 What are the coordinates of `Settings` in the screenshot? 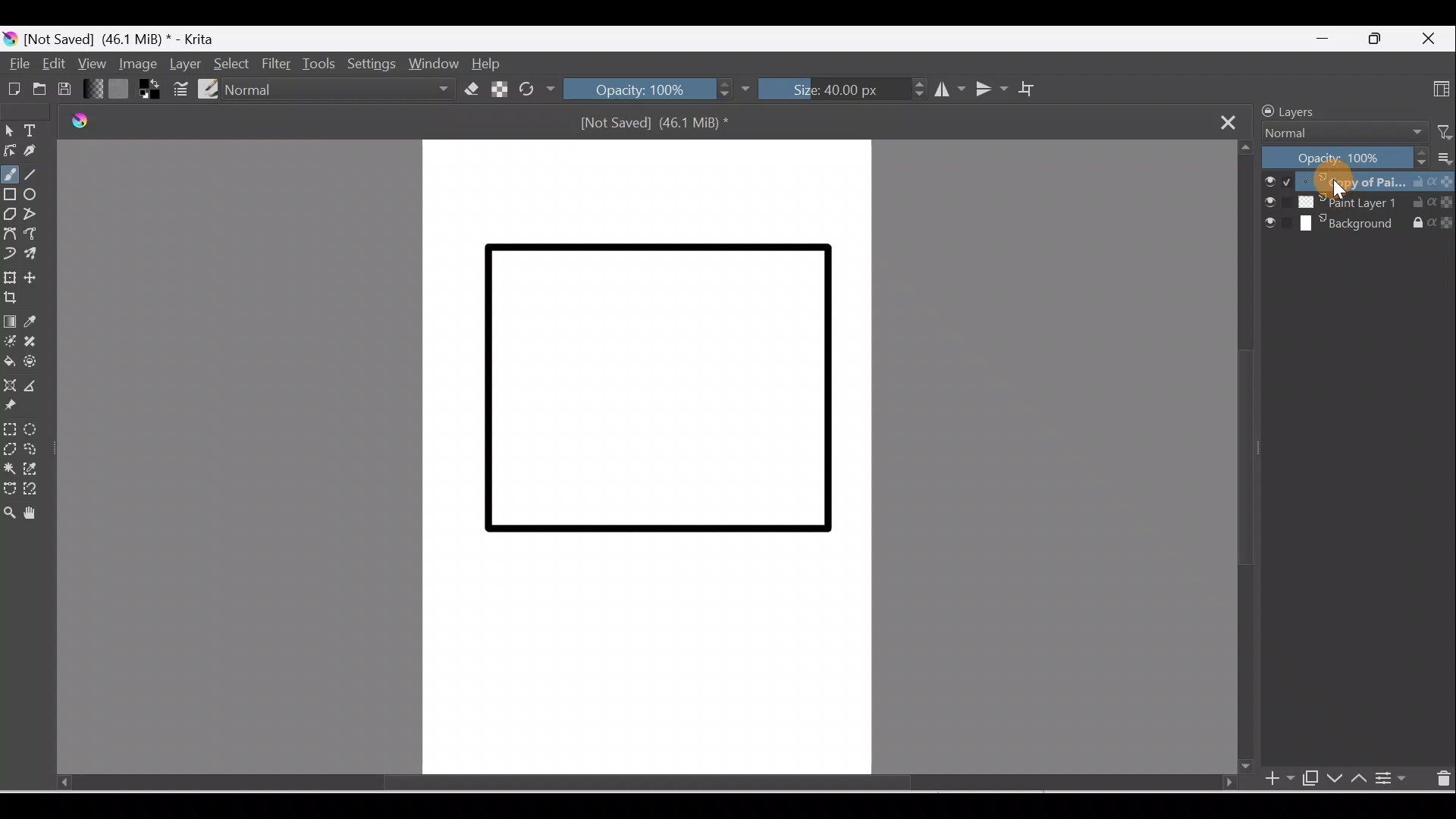 It's located at (369, 64).